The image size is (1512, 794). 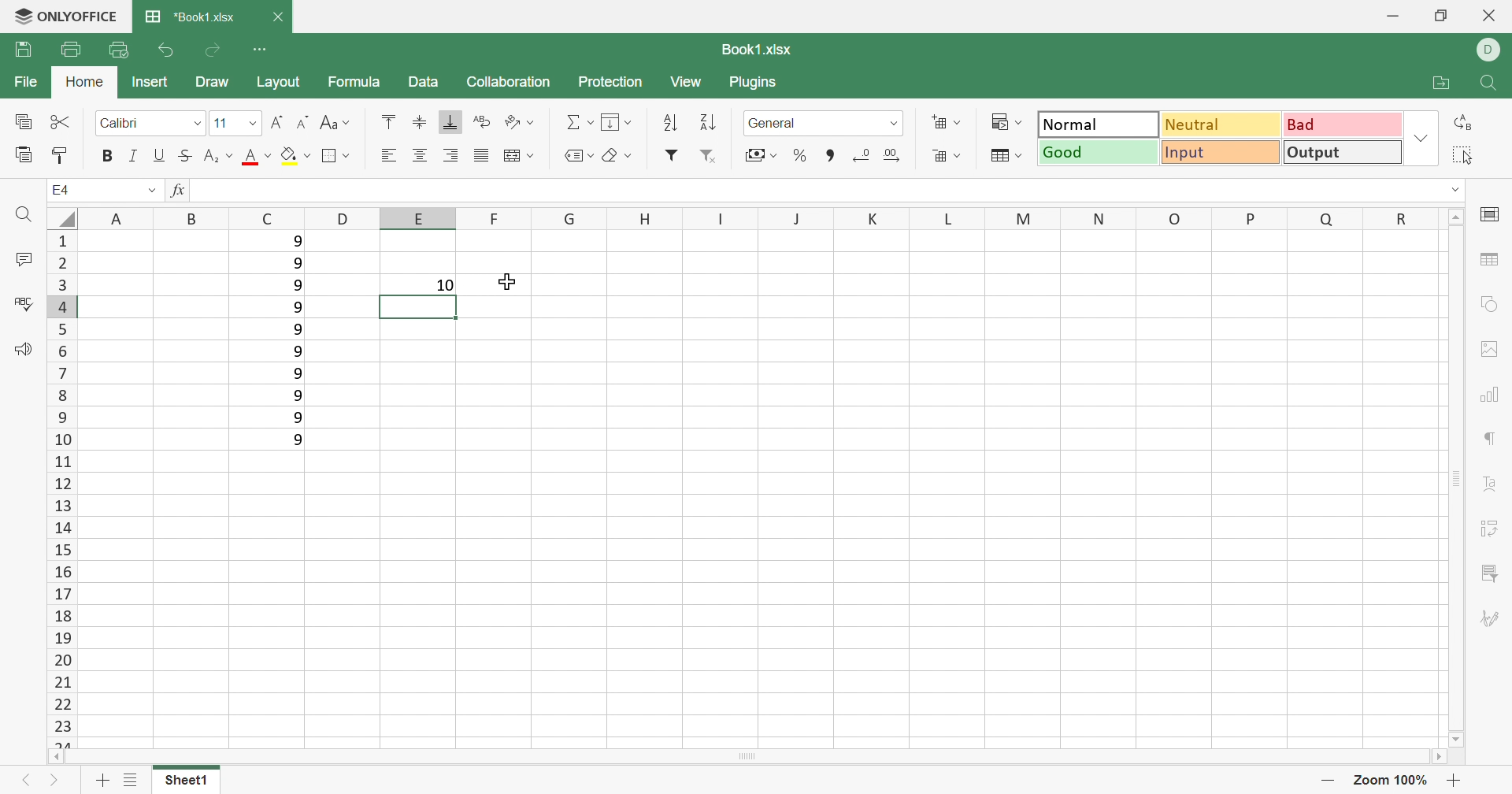 What do you see at coordinates (419, 155) in the screenshot?
I see `Align Center` at bounding box center [419, 155].